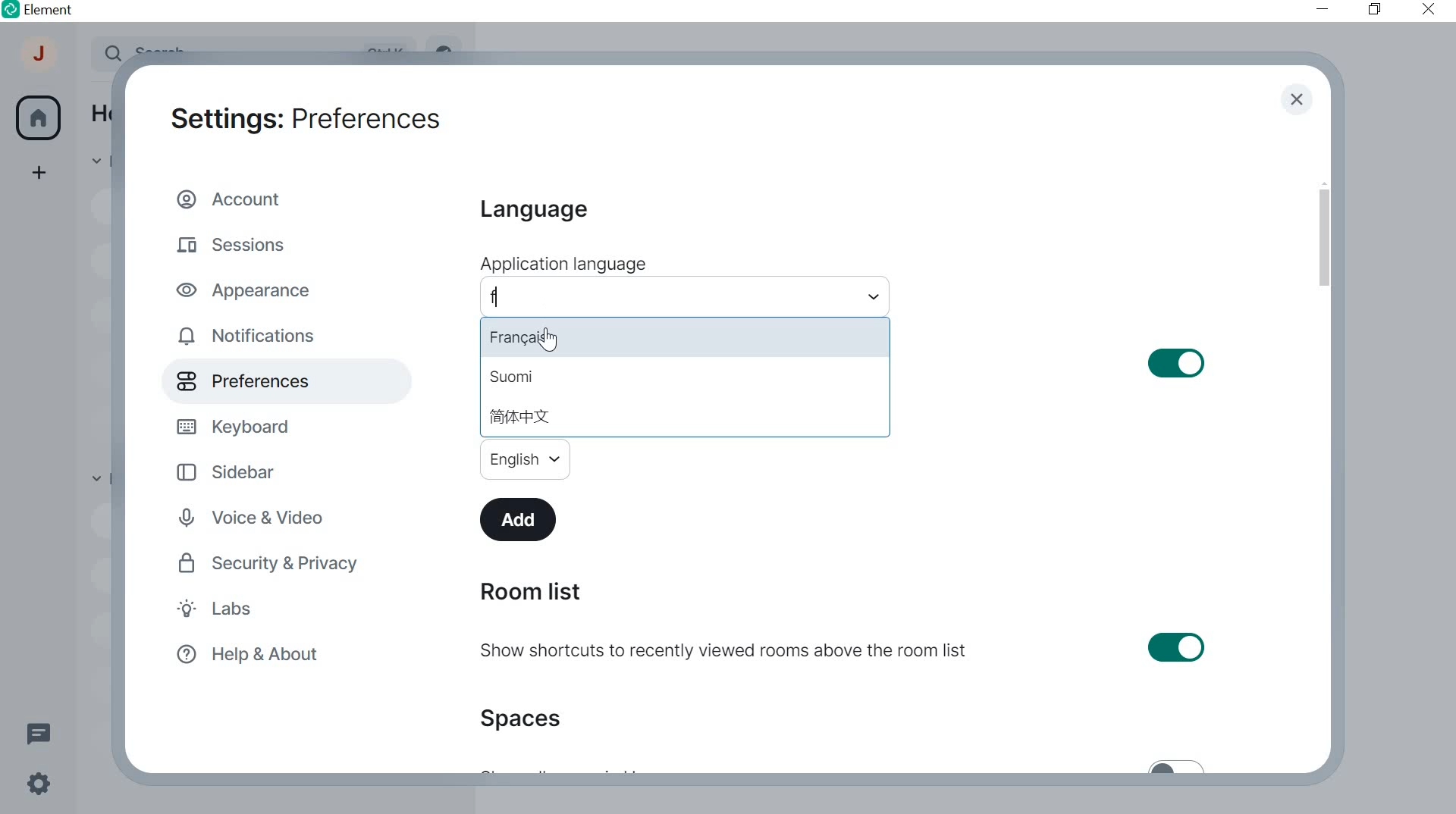 Image resolution: width=1456 pixels, height=814 pixels. I want to click on CREATE A SPACE, so click(40, 175).